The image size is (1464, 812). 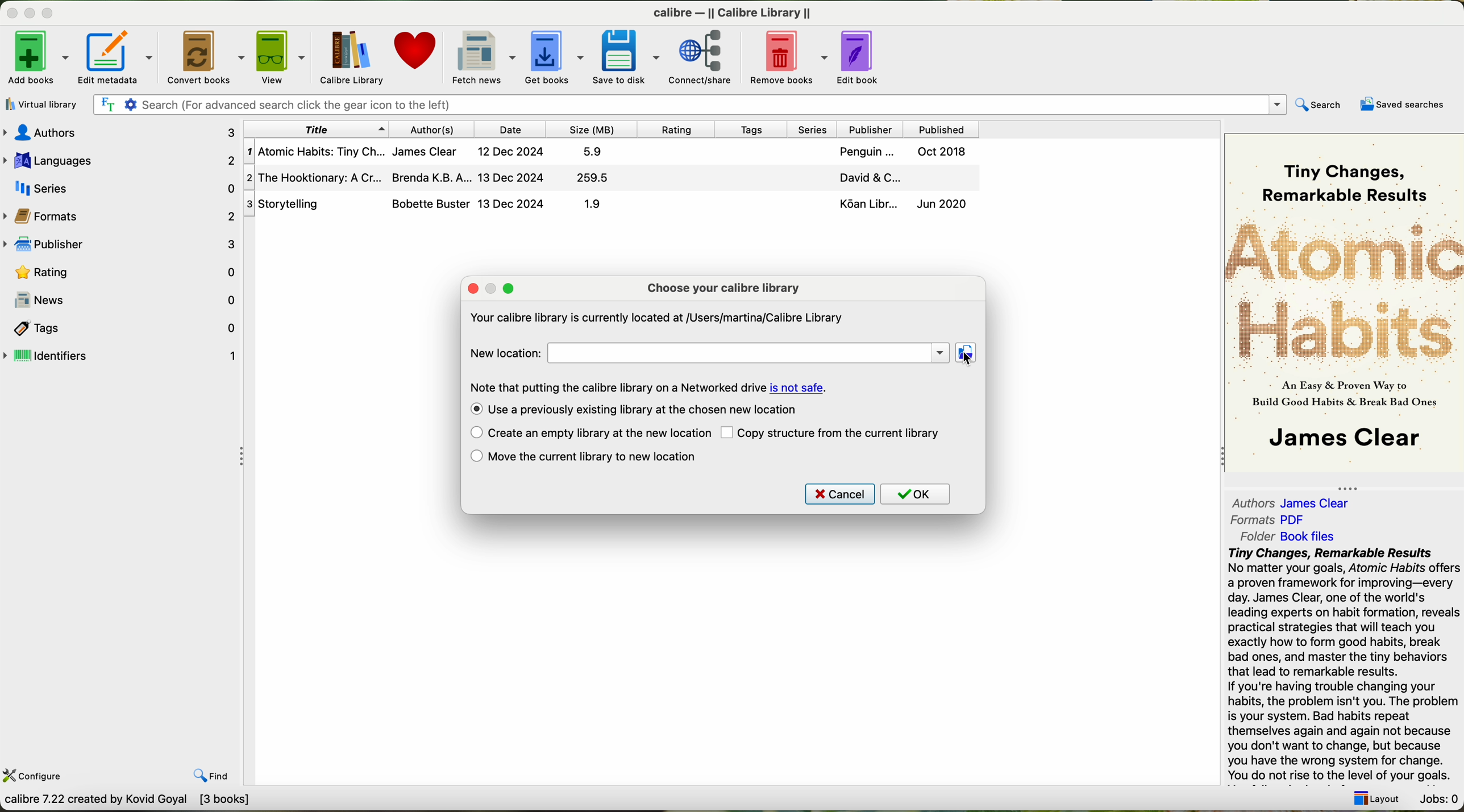 What do you see at coordinates (437, 177) in the screenshot?
I see `2| The Hooktionary: A Cr... Brenda K.B. A... 13 Dec 2024 259.5` at bounding box center [437, 177].